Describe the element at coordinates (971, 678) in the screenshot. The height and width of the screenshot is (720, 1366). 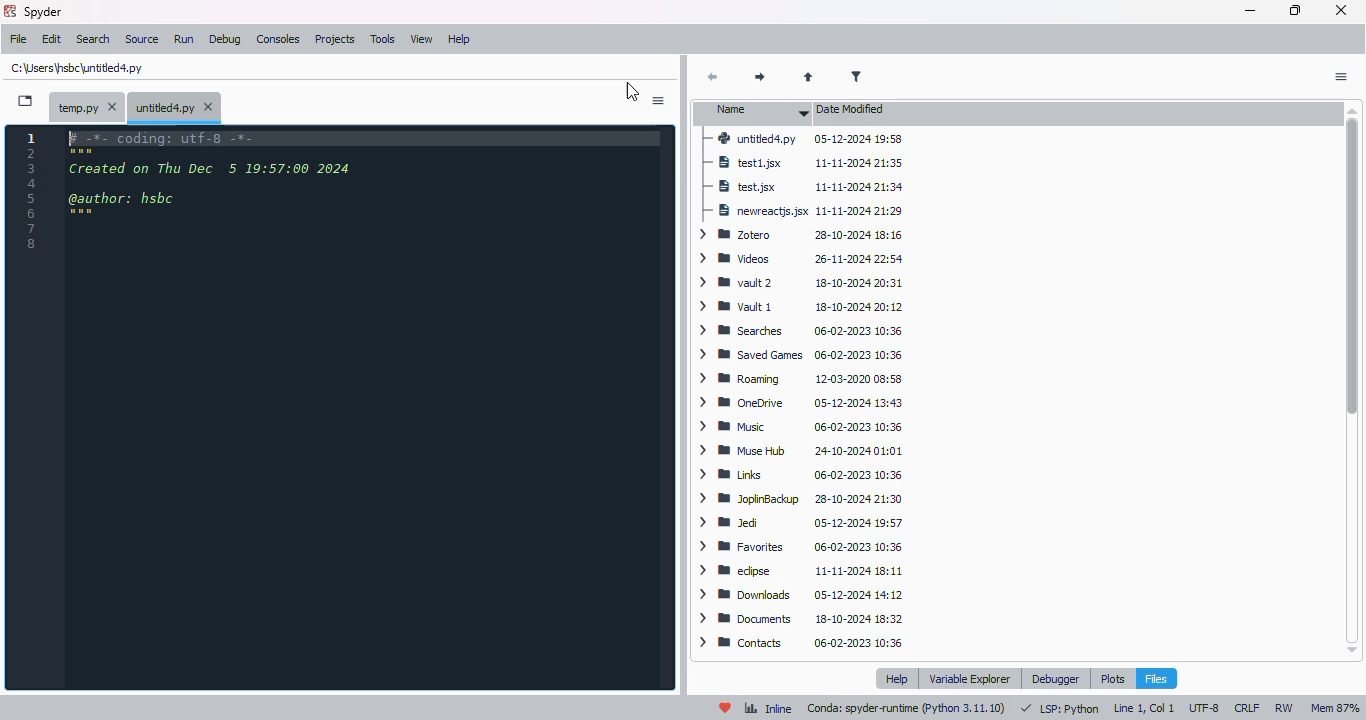
I see `variable explorer` at that location.